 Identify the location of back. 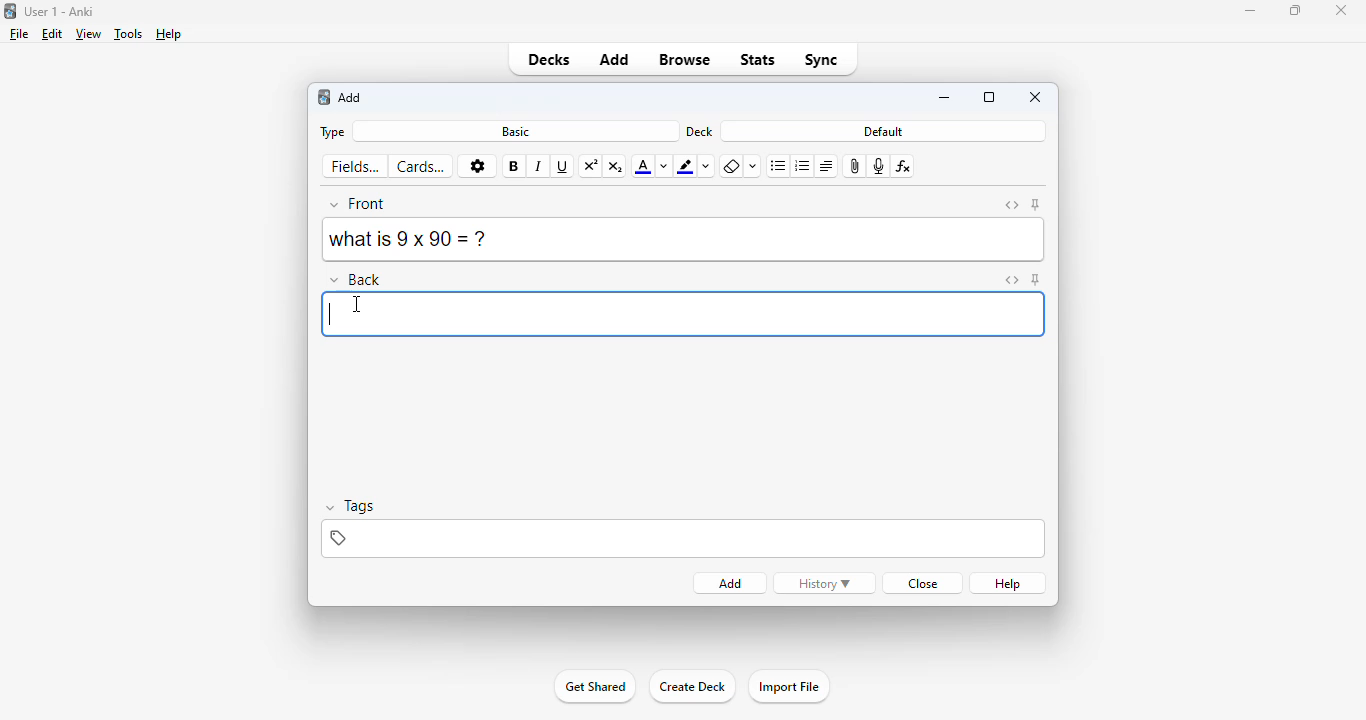
(358, 278).